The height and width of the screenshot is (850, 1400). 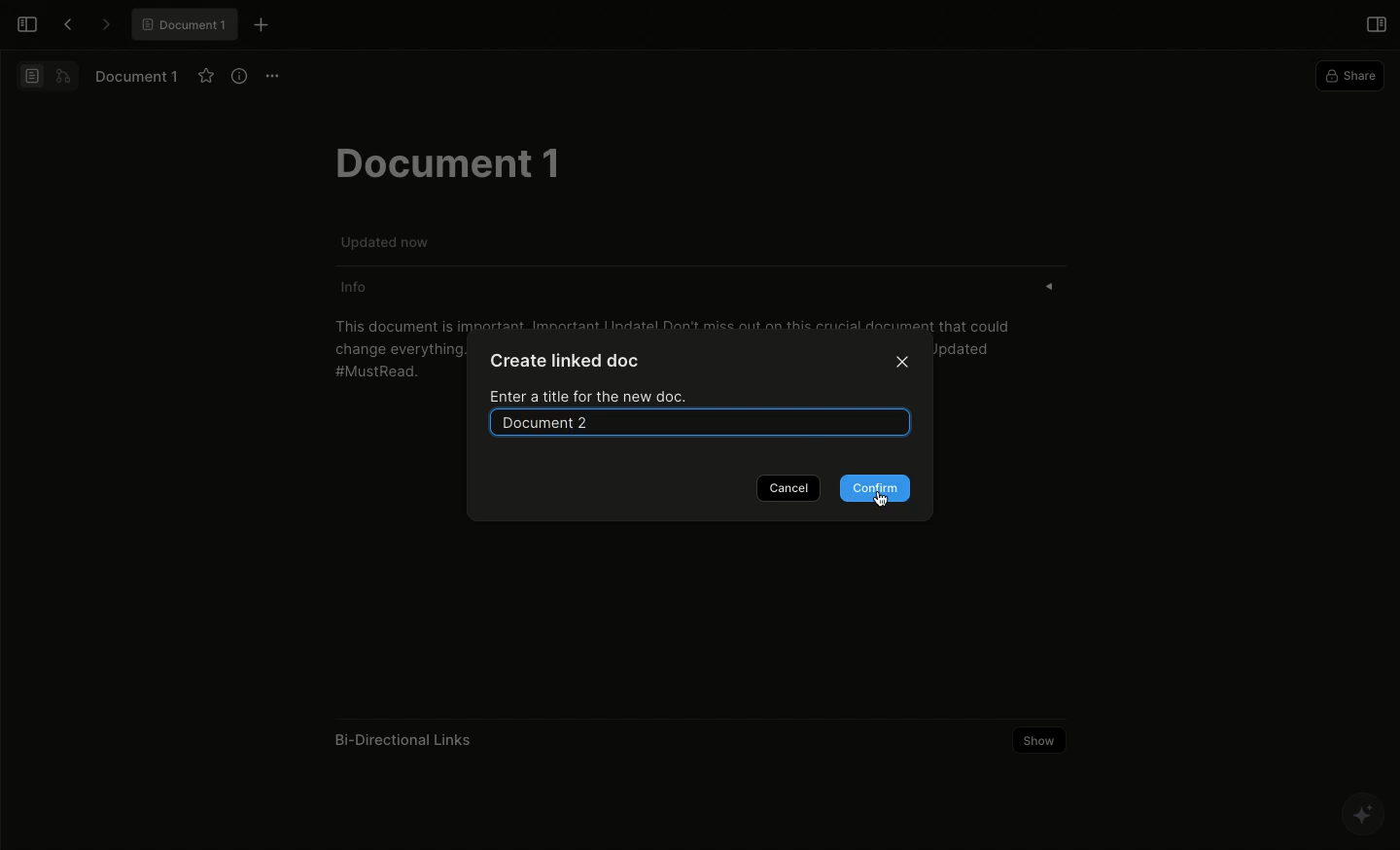 I want to click on Confirm, so click(x=875, y=488).